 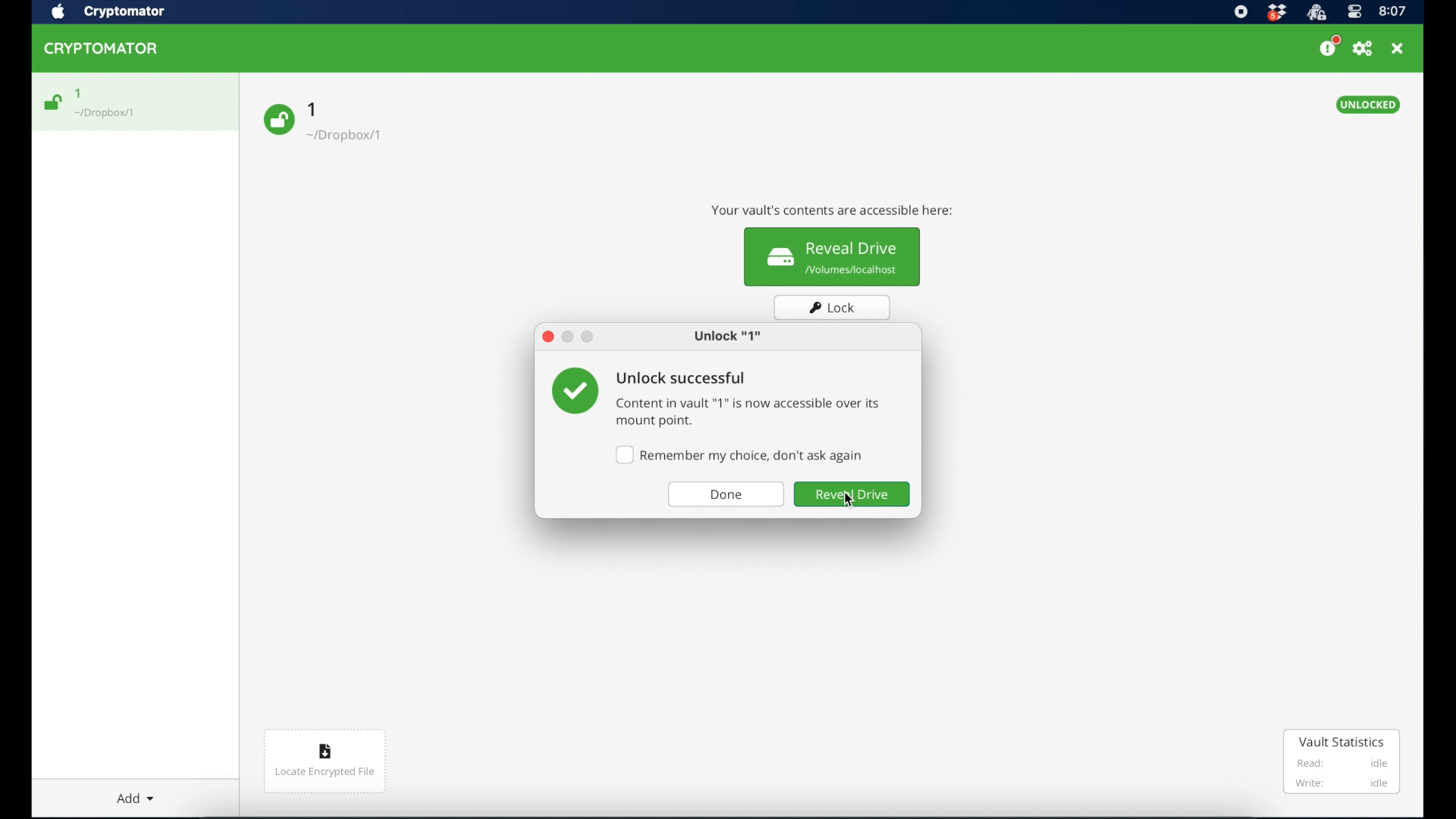 I want to click on unlocked icon, so click(x=278, y=120).